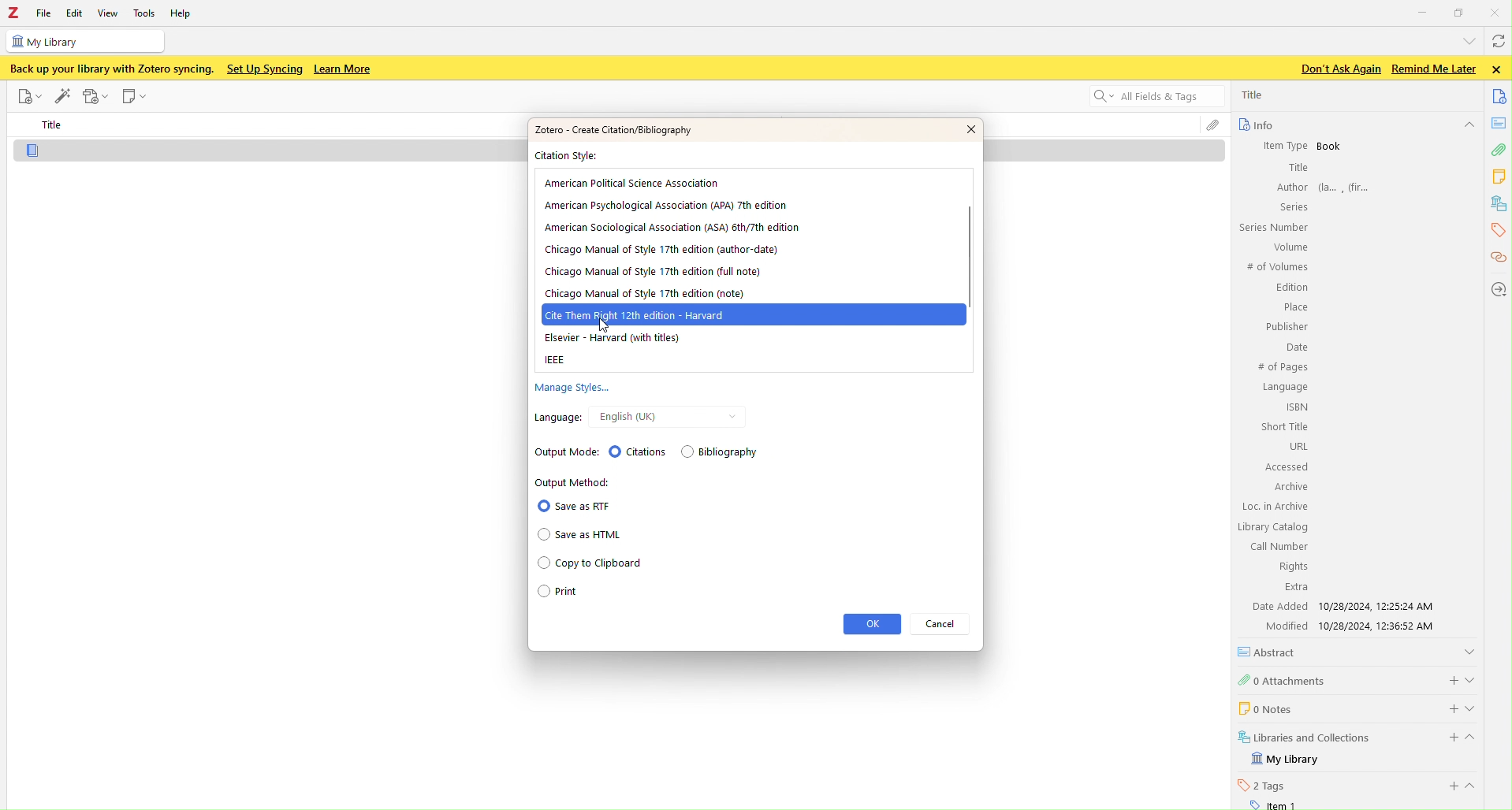 This screenshot has width=1512, height=810. Describe the element at coordinates (1500, 176) in the screenshot. I see `notes` at that location.